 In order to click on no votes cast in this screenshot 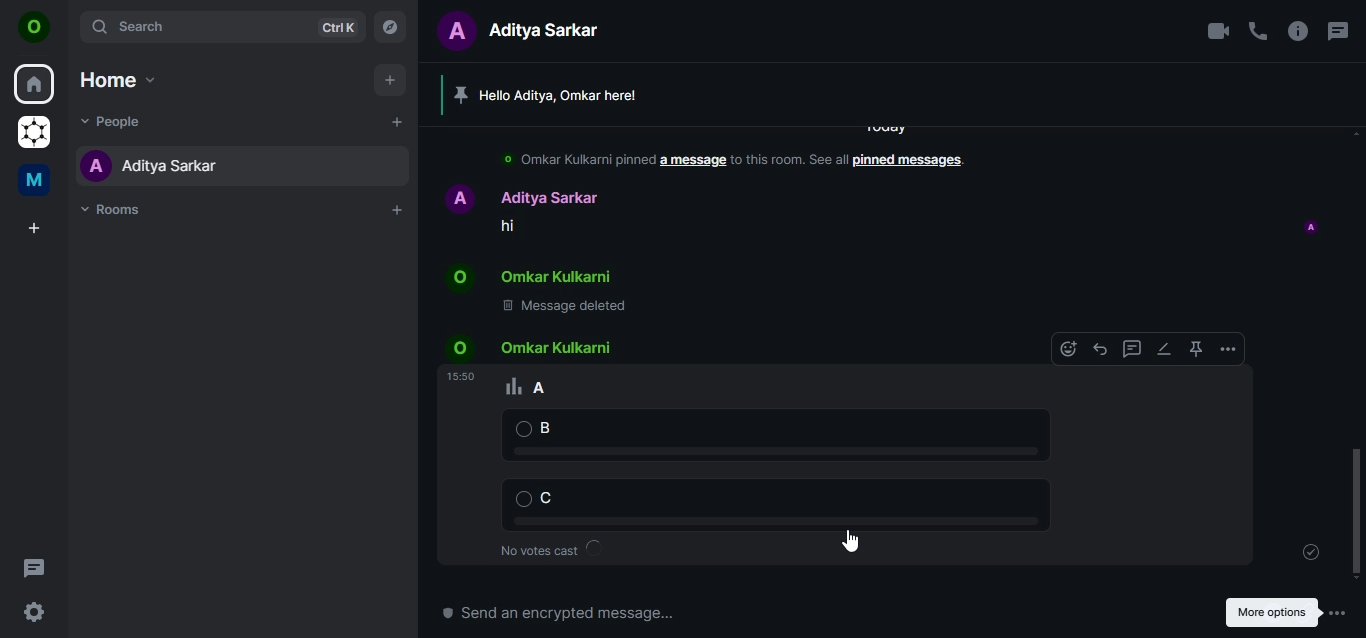, I will do `click(553, 548)`.